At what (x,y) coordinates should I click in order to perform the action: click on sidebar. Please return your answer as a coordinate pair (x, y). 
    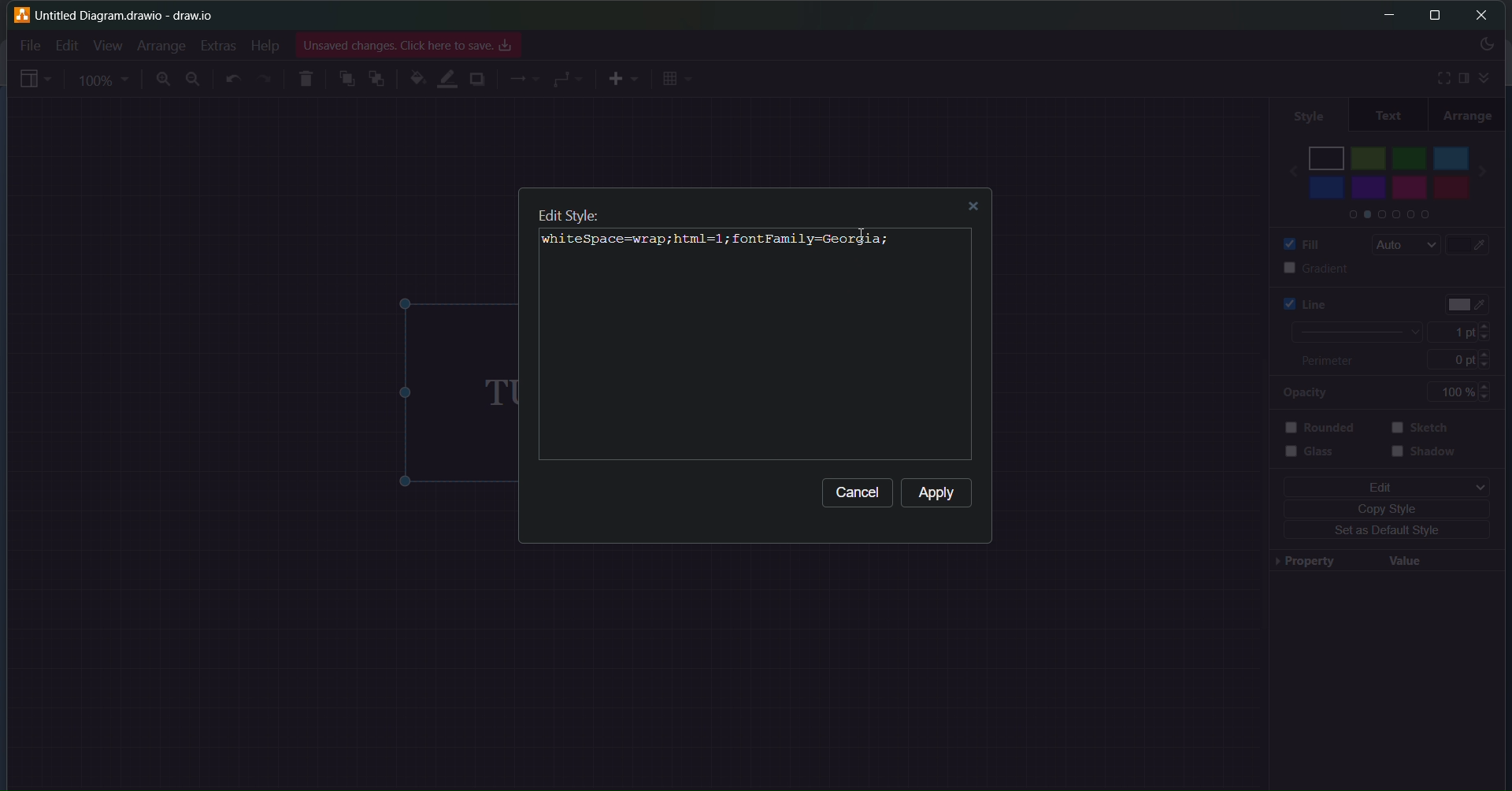
    Looking at the image, I should click on (35, 81).